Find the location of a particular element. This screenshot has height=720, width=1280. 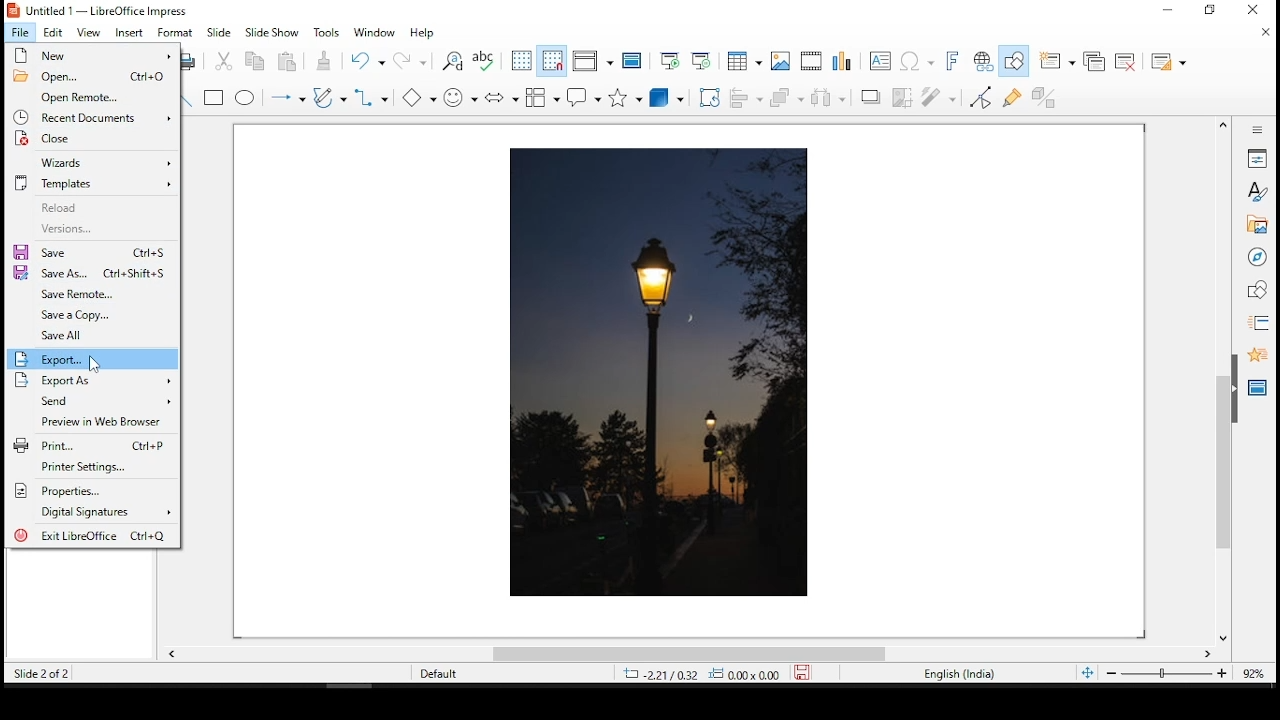

send is located at coordinates (95, 400).